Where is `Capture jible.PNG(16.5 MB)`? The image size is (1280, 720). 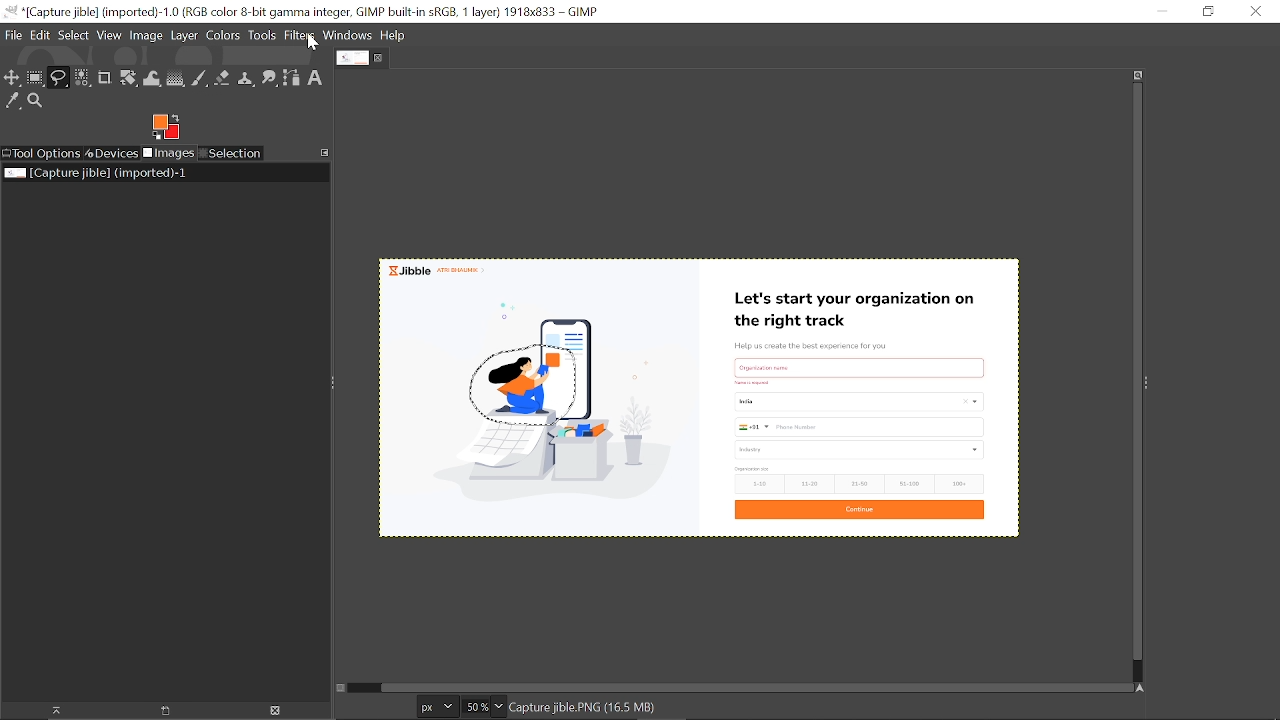
Capture jible.PNG(16.5 MB) is located at coordinates (583, 709).